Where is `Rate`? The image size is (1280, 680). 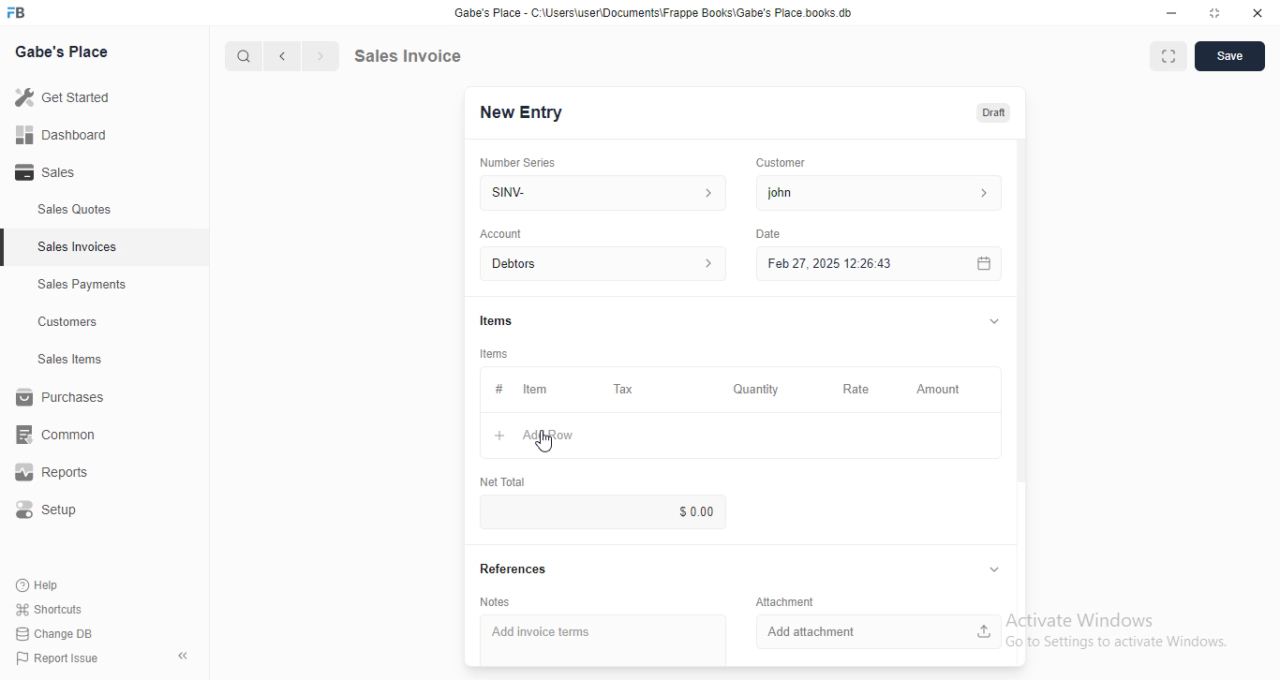 Rate is located at coordinates (861, 388).